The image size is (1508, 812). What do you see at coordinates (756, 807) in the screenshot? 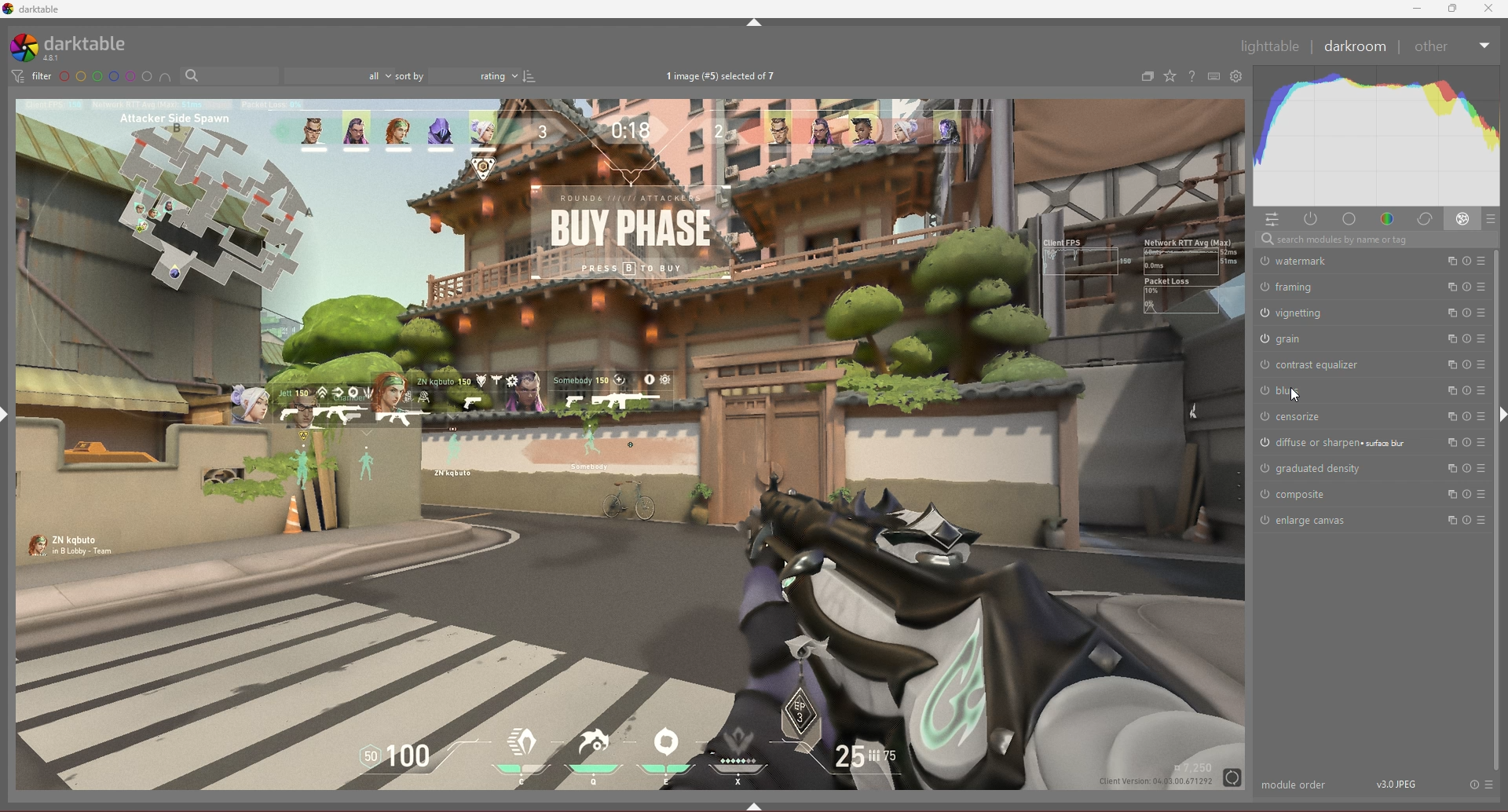
I see `show` at bounding box center [756, 807].